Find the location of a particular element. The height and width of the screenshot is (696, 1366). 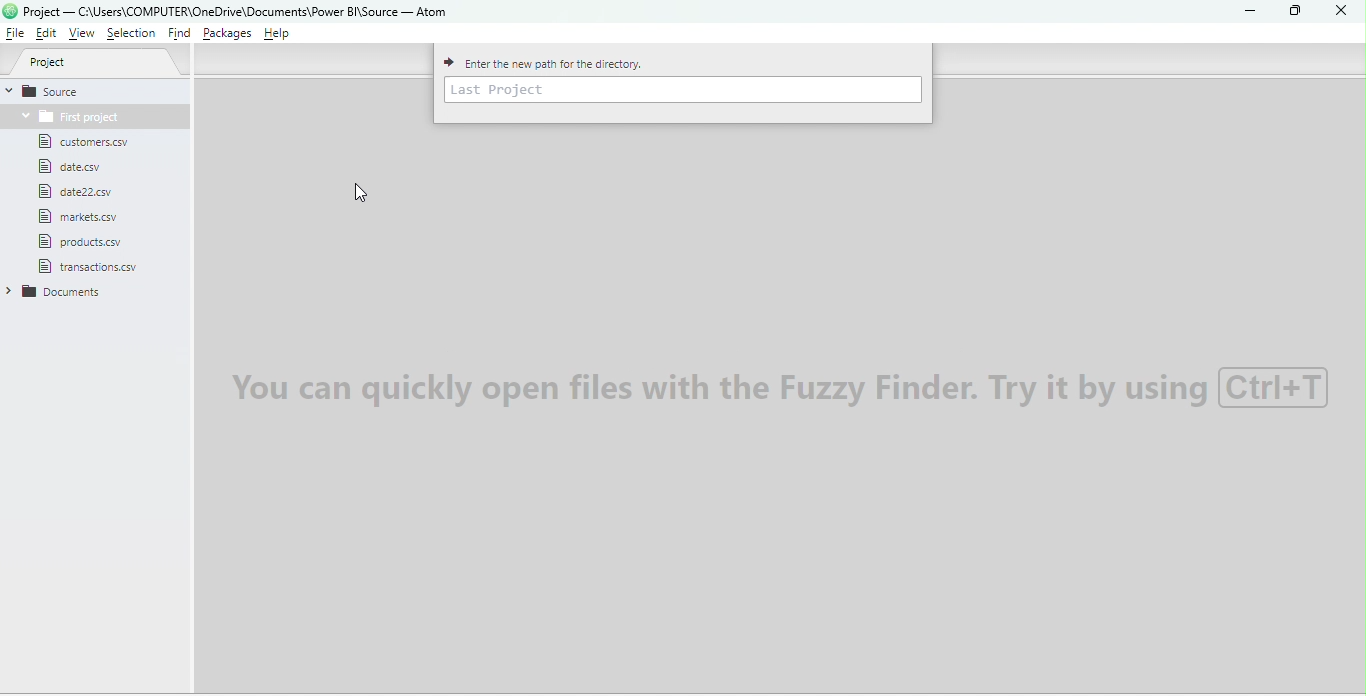

Enter the new path for the directory is located at coordinates (572, 61).